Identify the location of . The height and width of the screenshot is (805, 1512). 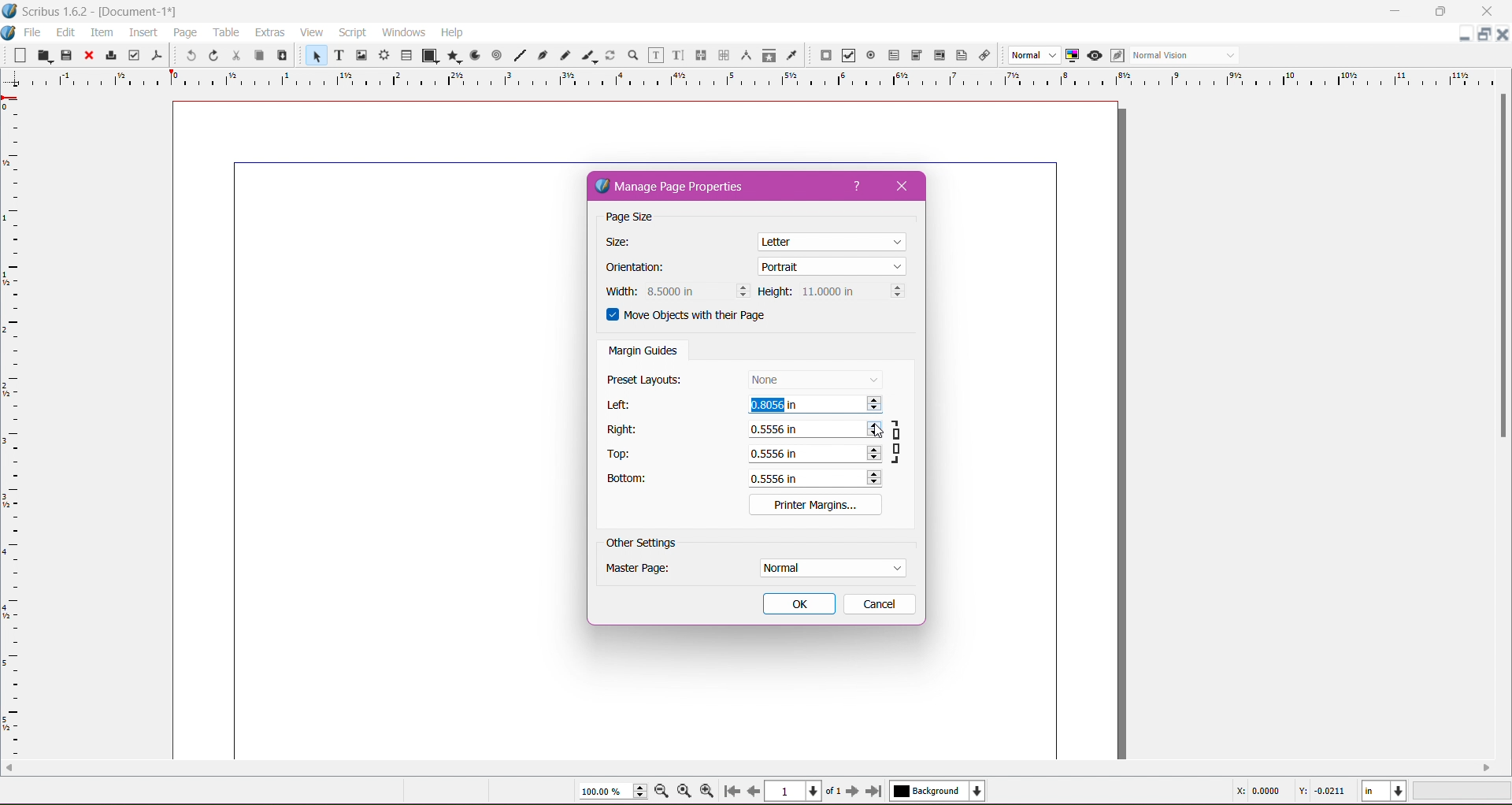
(654, 380).